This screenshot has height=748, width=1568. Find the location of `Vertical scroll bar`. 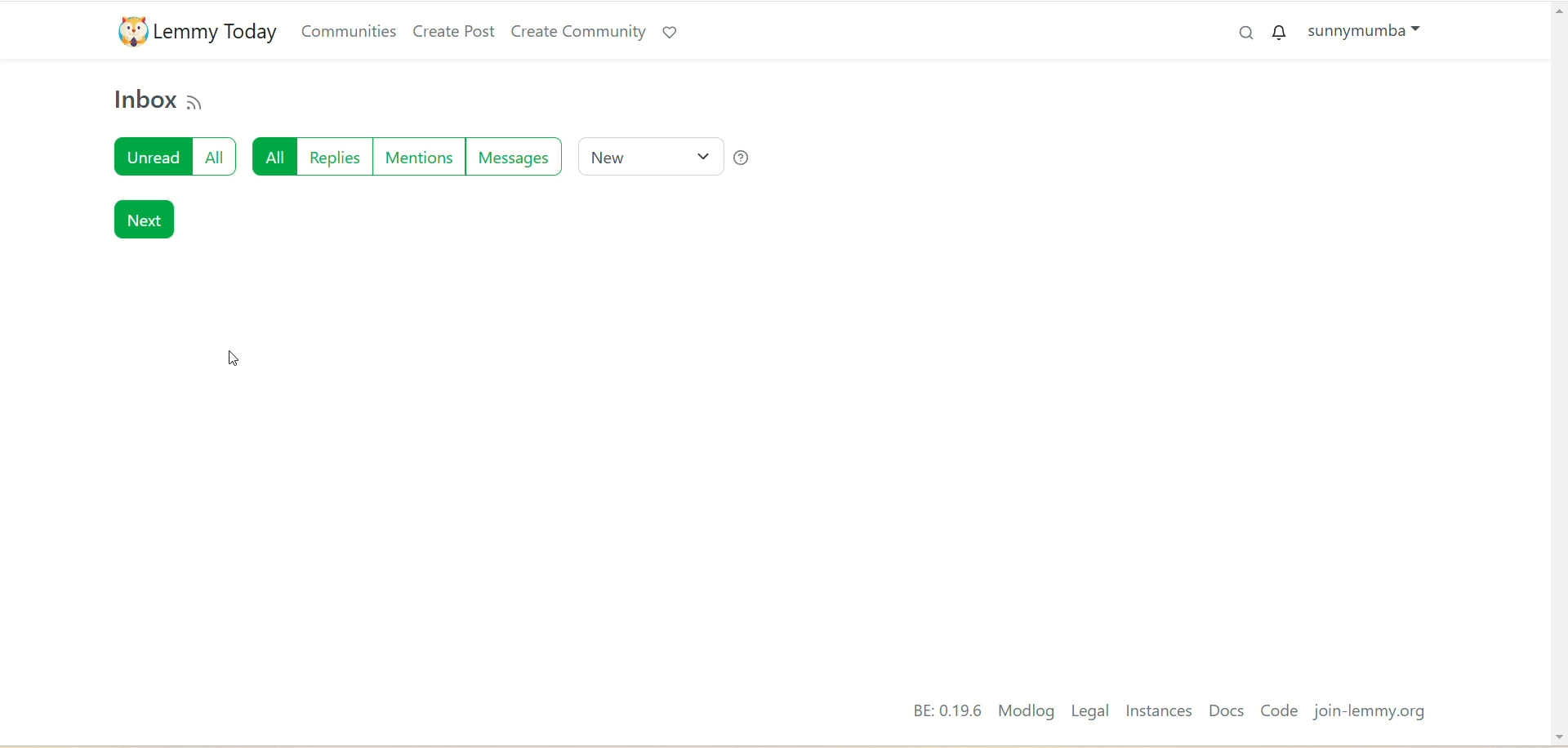

Vertical scroll bar is located at coordinates (1552, 358).